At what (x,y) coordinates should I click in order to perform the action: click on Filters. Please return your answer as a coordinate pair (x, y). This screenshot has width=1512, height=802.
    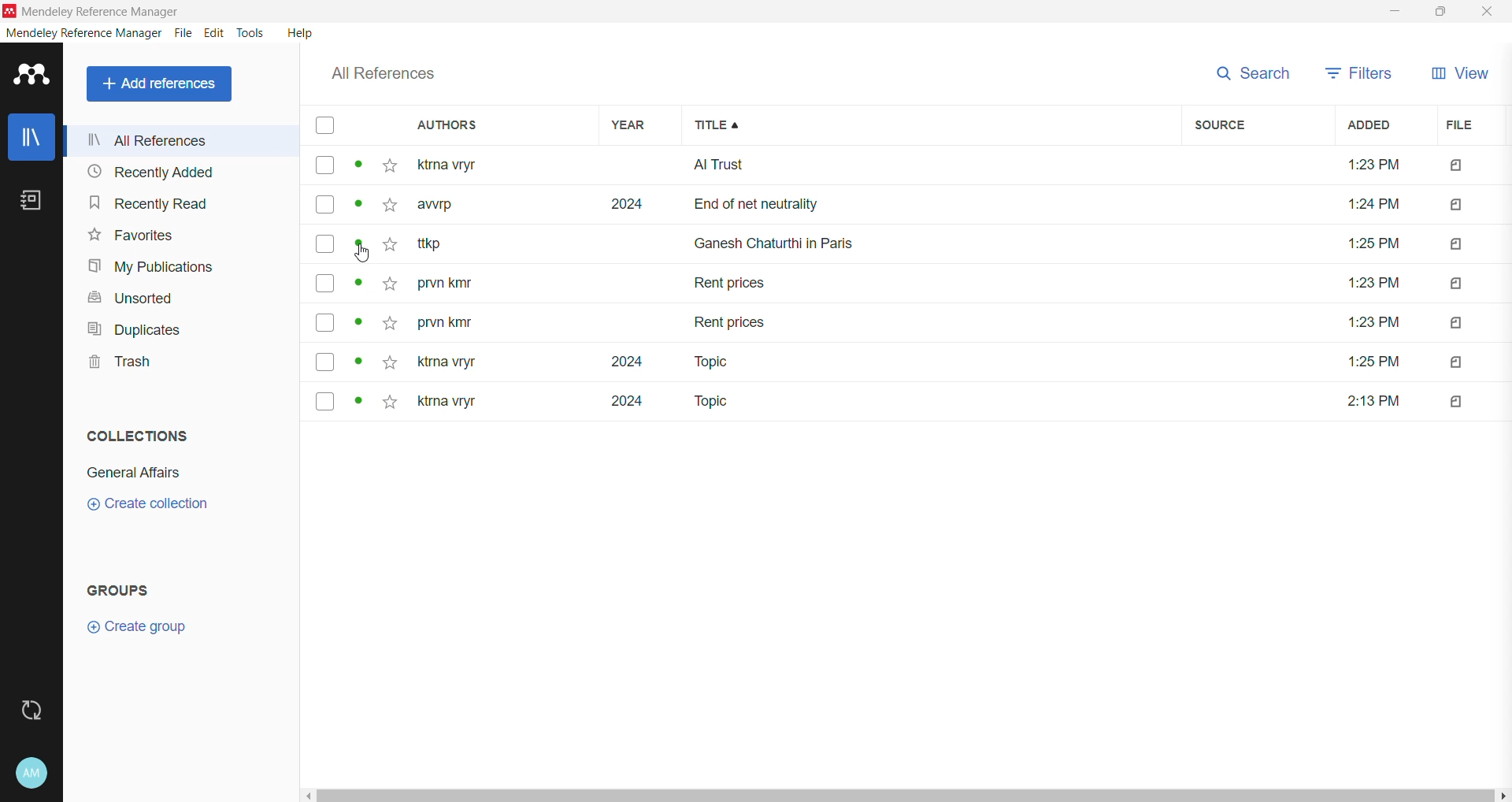
    Looking at the image, I should click on (1358, 73).